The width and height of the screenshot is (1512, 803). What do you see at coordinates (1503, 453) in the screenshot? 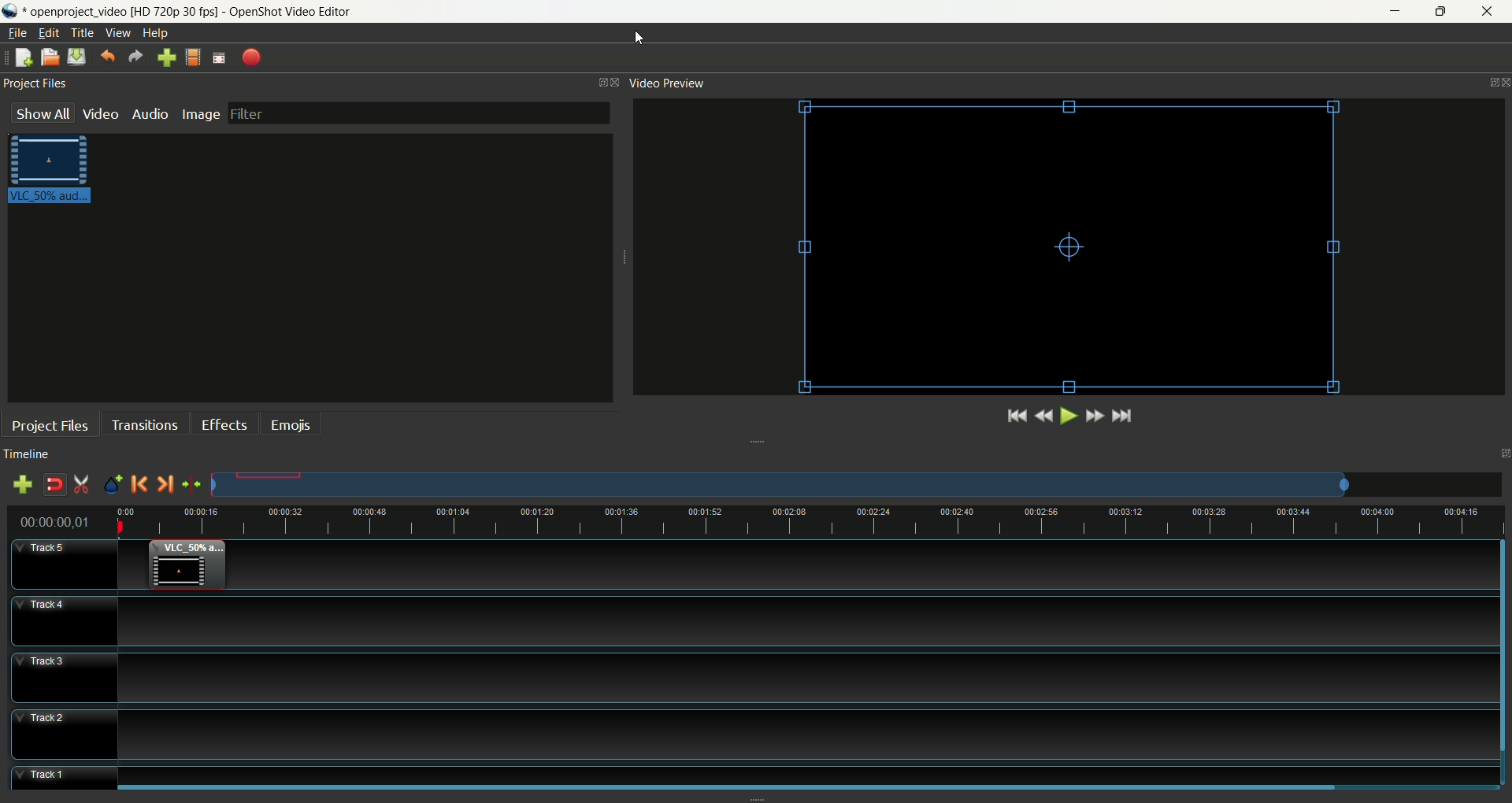
I see `maximize` at bounding box center [1503, 453].